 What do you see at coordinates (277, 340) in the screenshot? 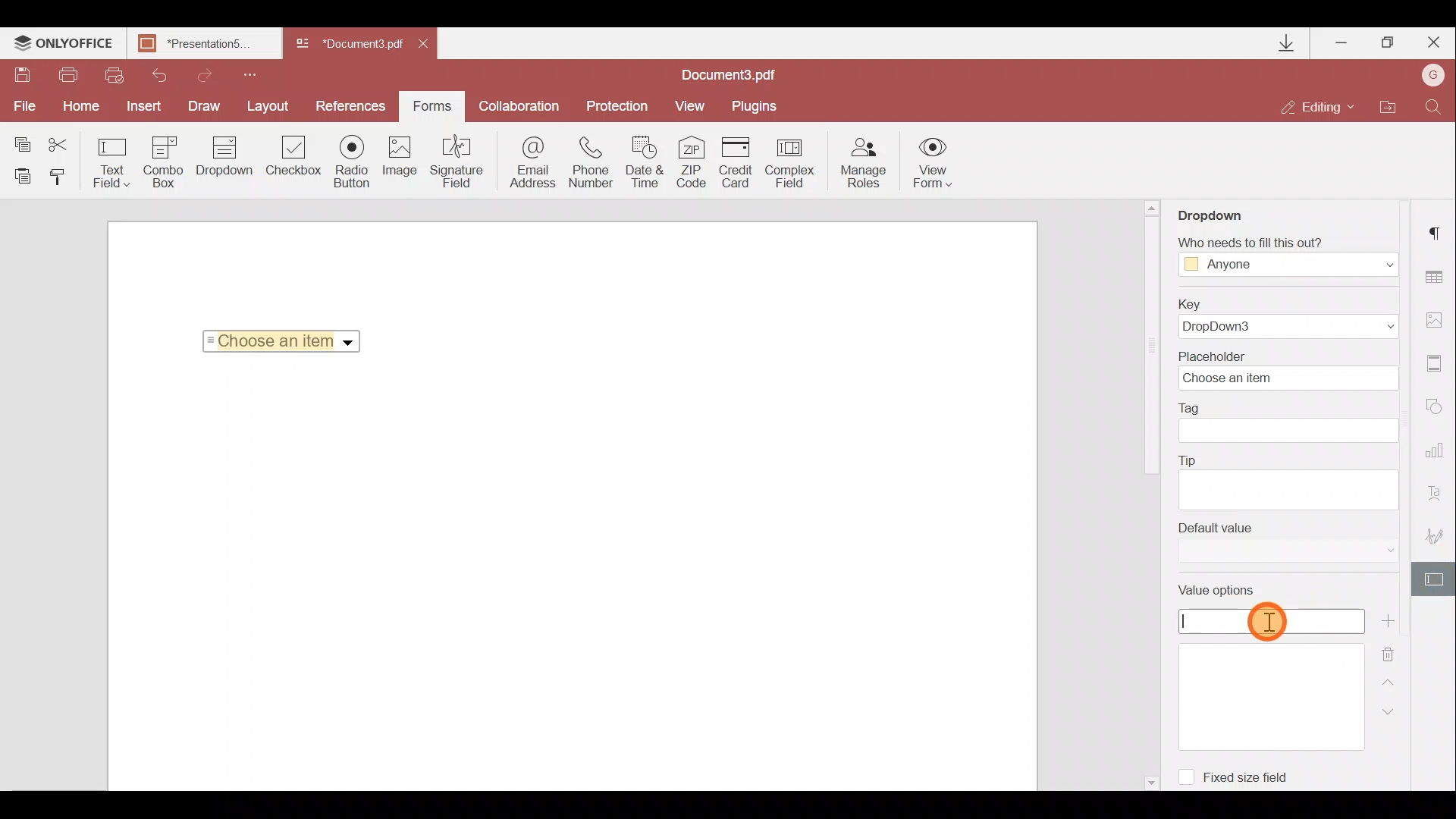
I see `Selected Item` at bounding box center [277, 340].